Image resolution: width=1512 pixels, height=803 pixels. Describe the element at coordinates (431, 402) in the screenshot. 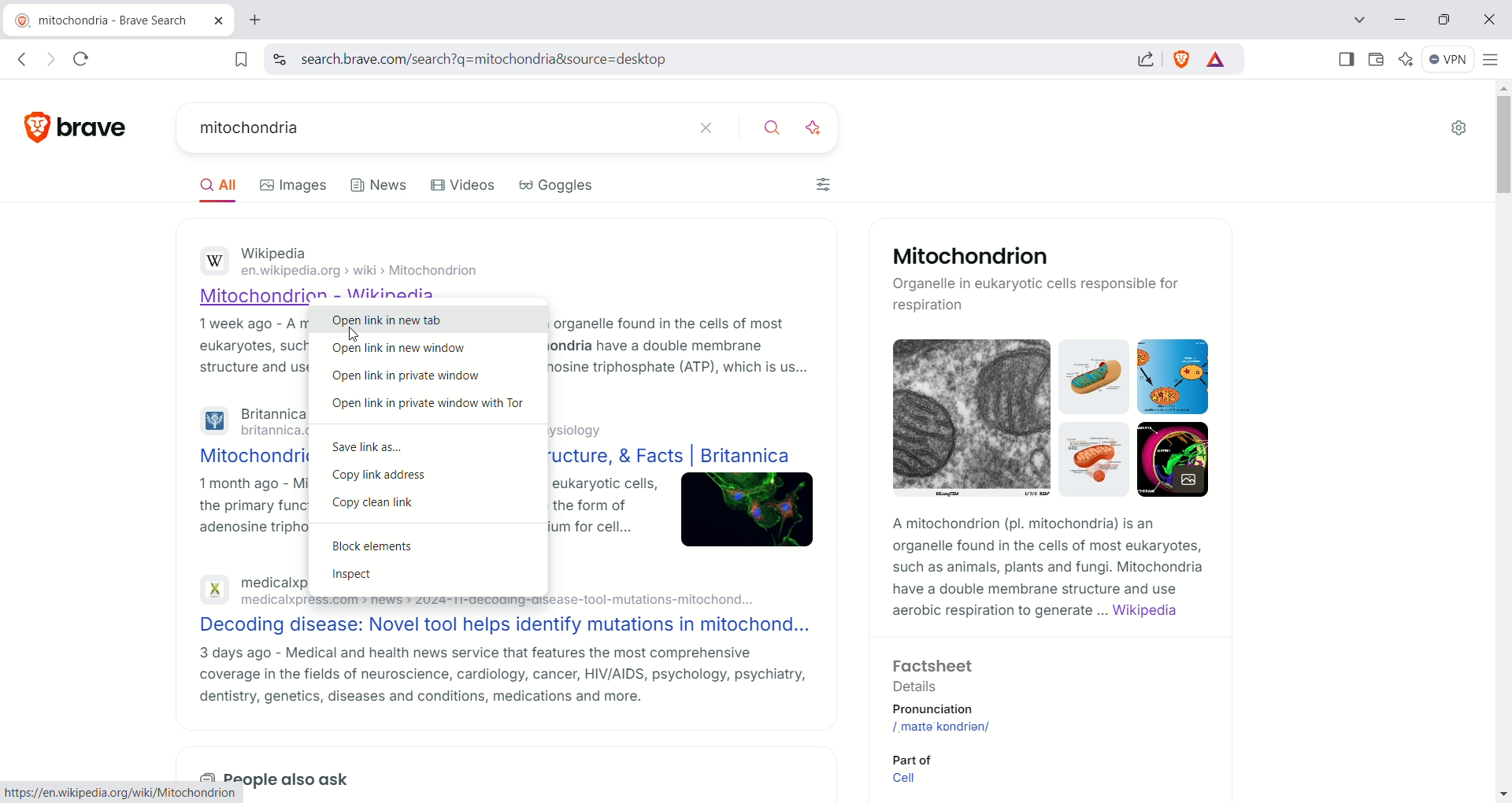

I see `open link in private window with tor` at that location.